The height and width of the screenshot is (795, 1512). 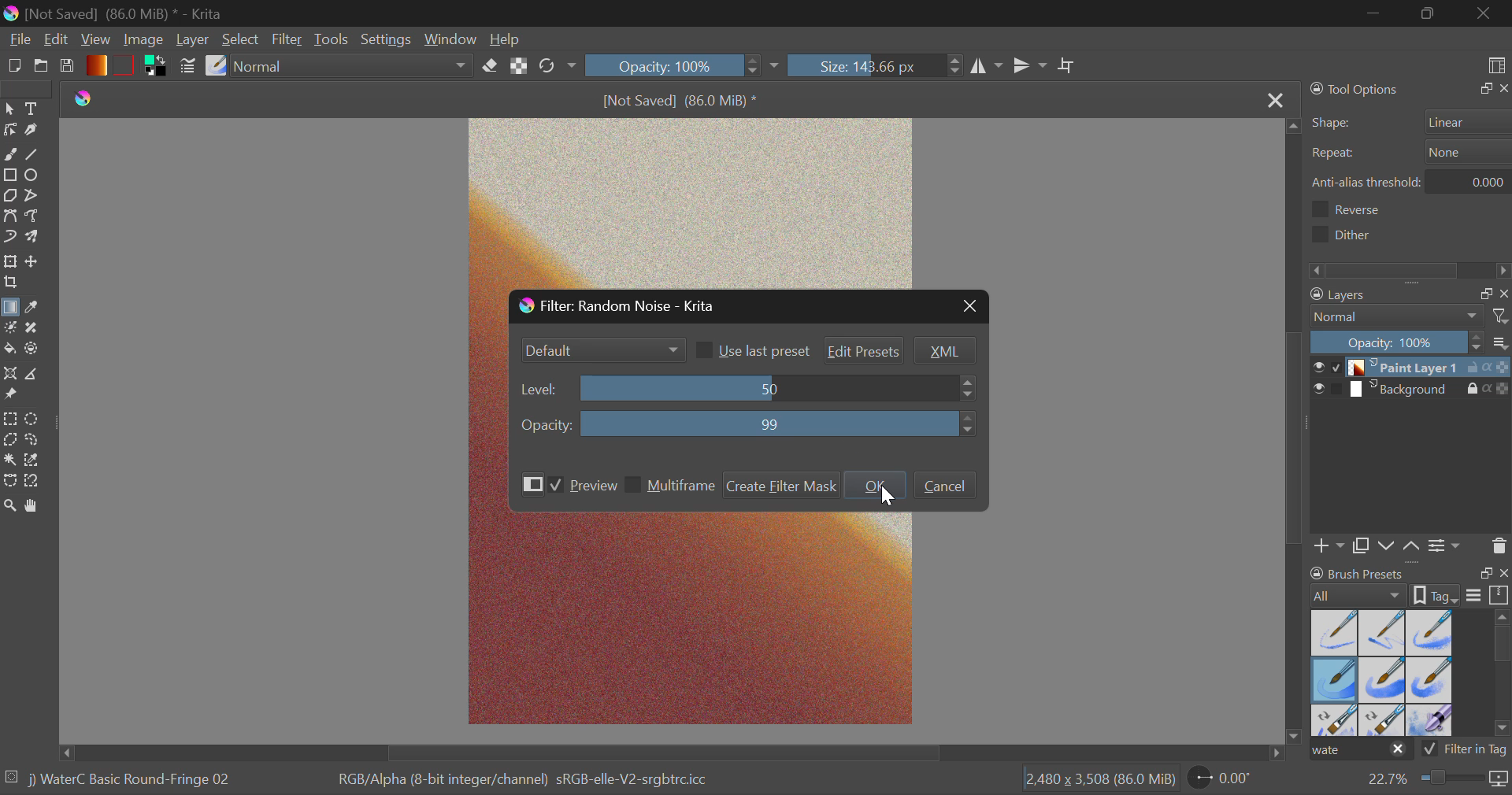 I want to click on Brush presets, so click(x=1360, y=572).